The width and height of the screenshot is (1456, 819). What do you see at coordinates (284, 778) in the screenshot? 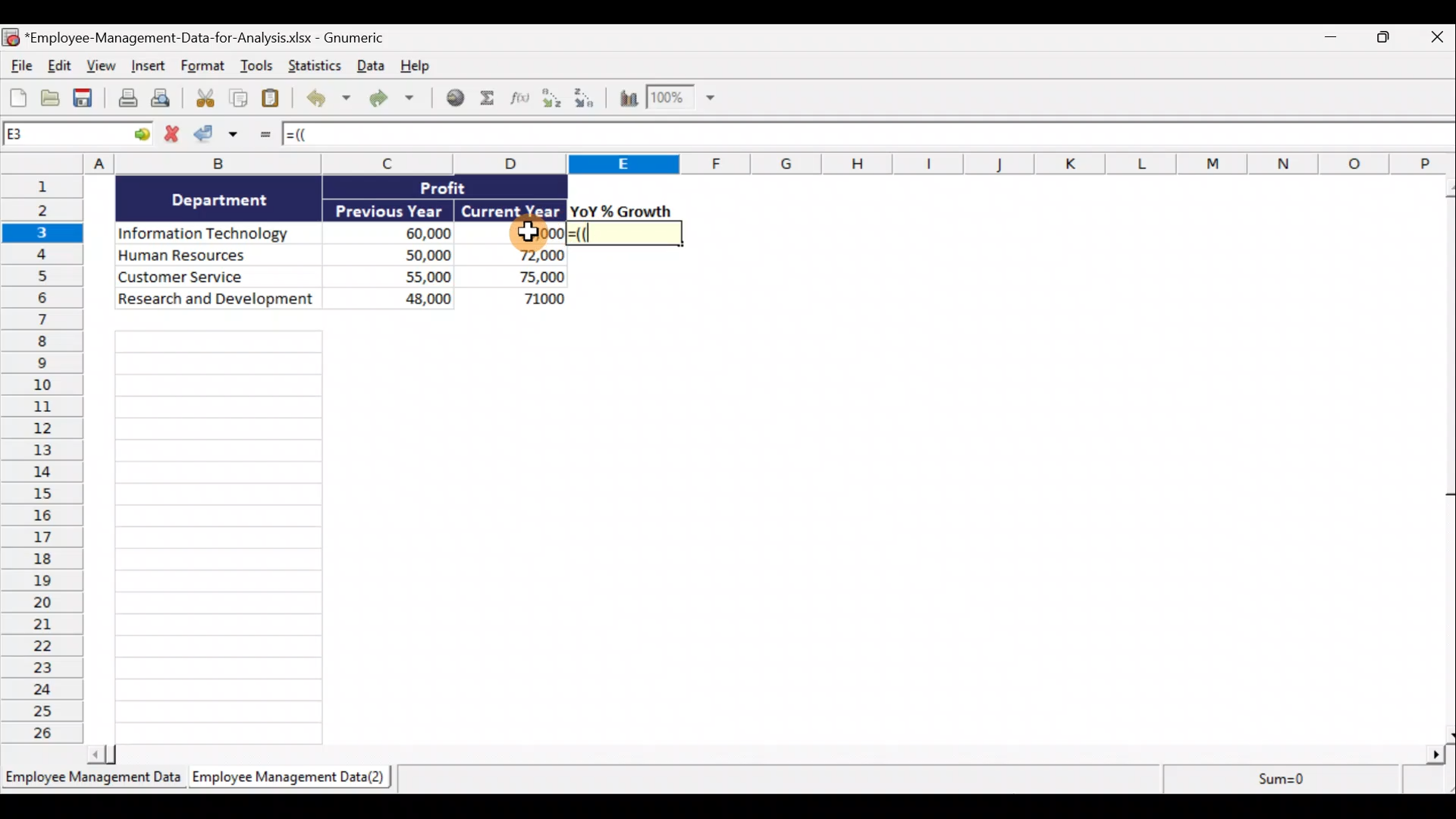
I see `Sheet 2` at bounding box center [284, 778].